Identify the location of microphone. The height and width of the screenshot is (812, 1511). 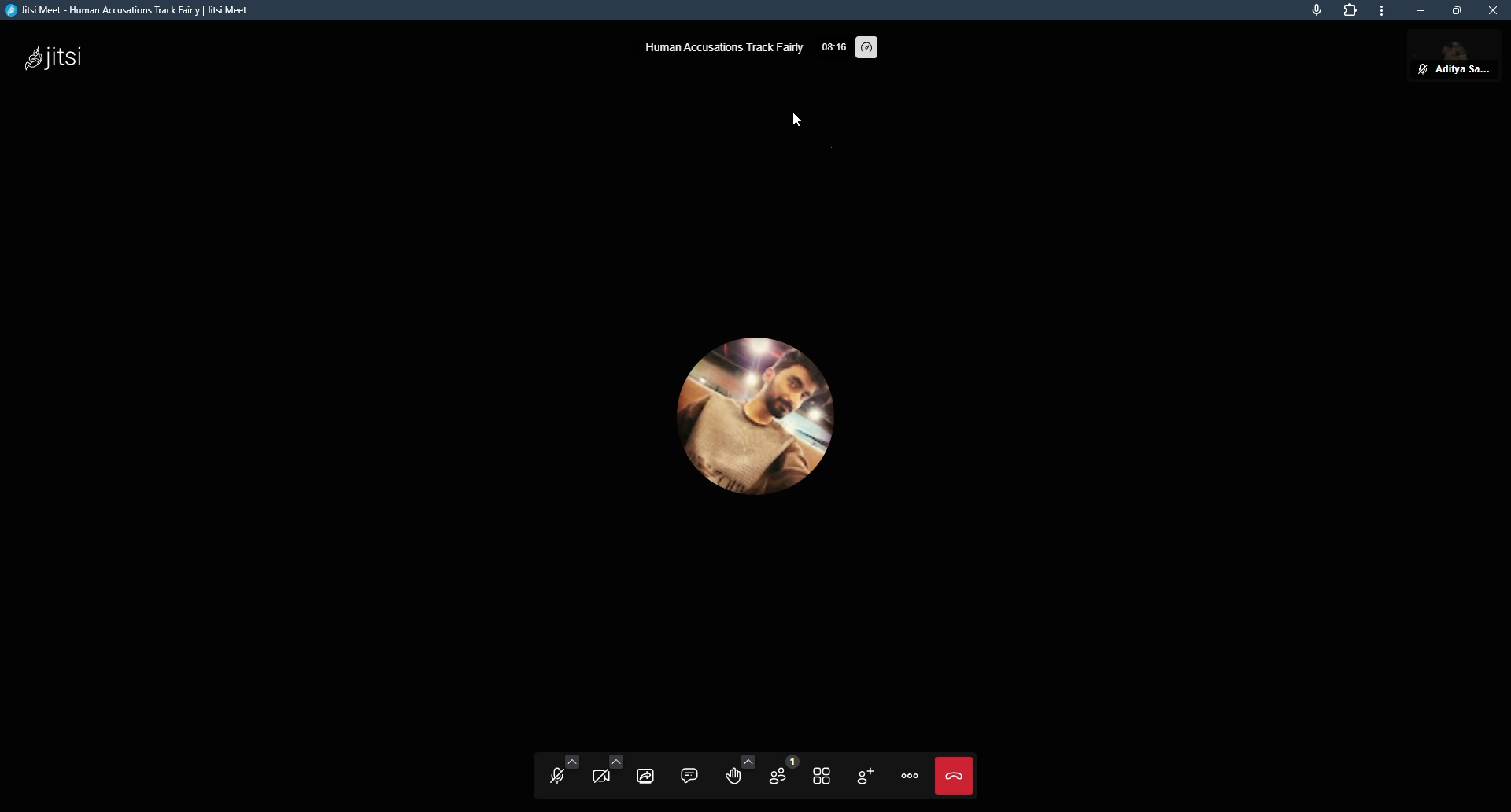
(563, 770).